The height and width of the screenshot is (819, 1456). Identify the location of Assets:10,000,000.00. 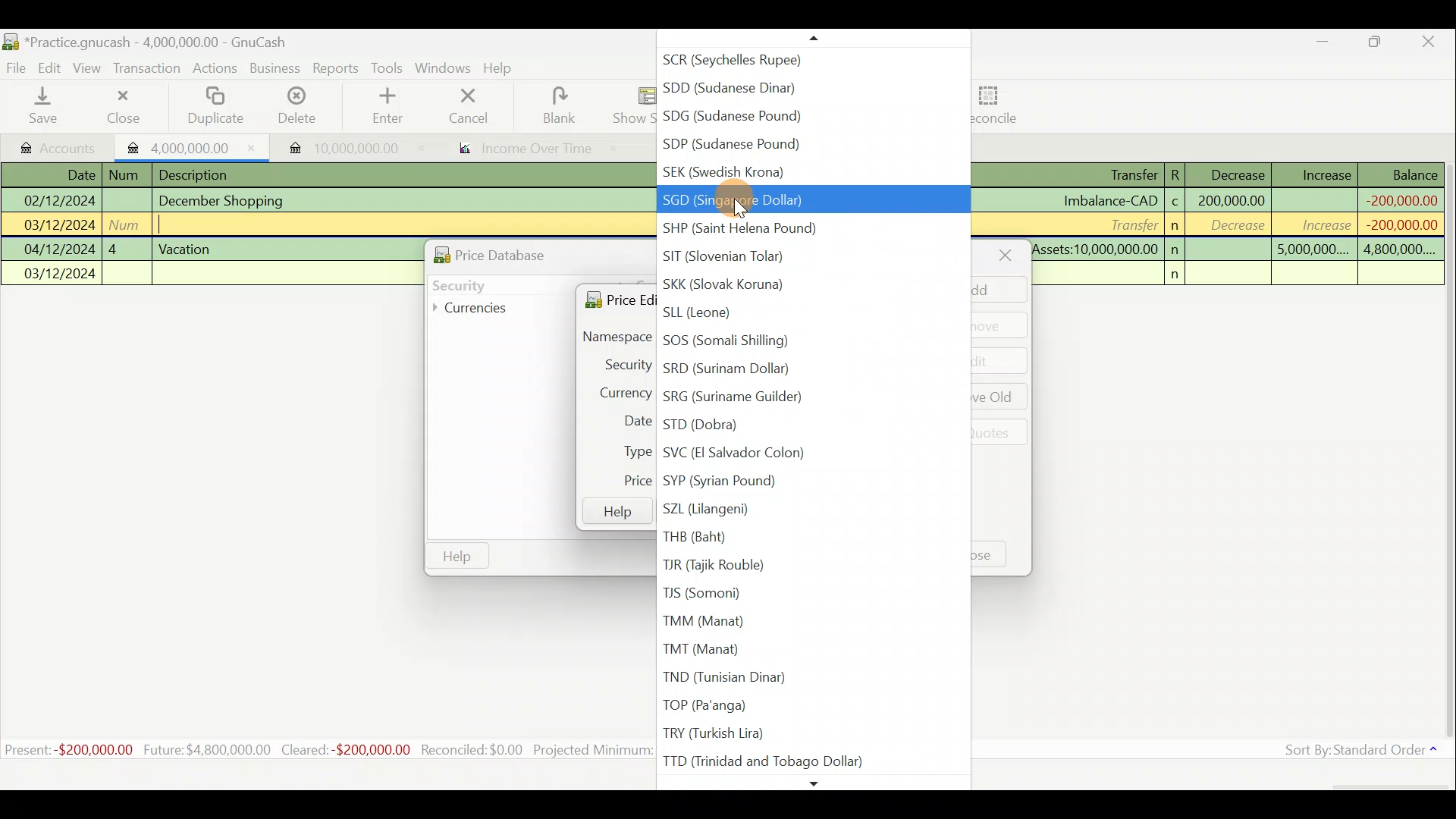
(1095, 247).